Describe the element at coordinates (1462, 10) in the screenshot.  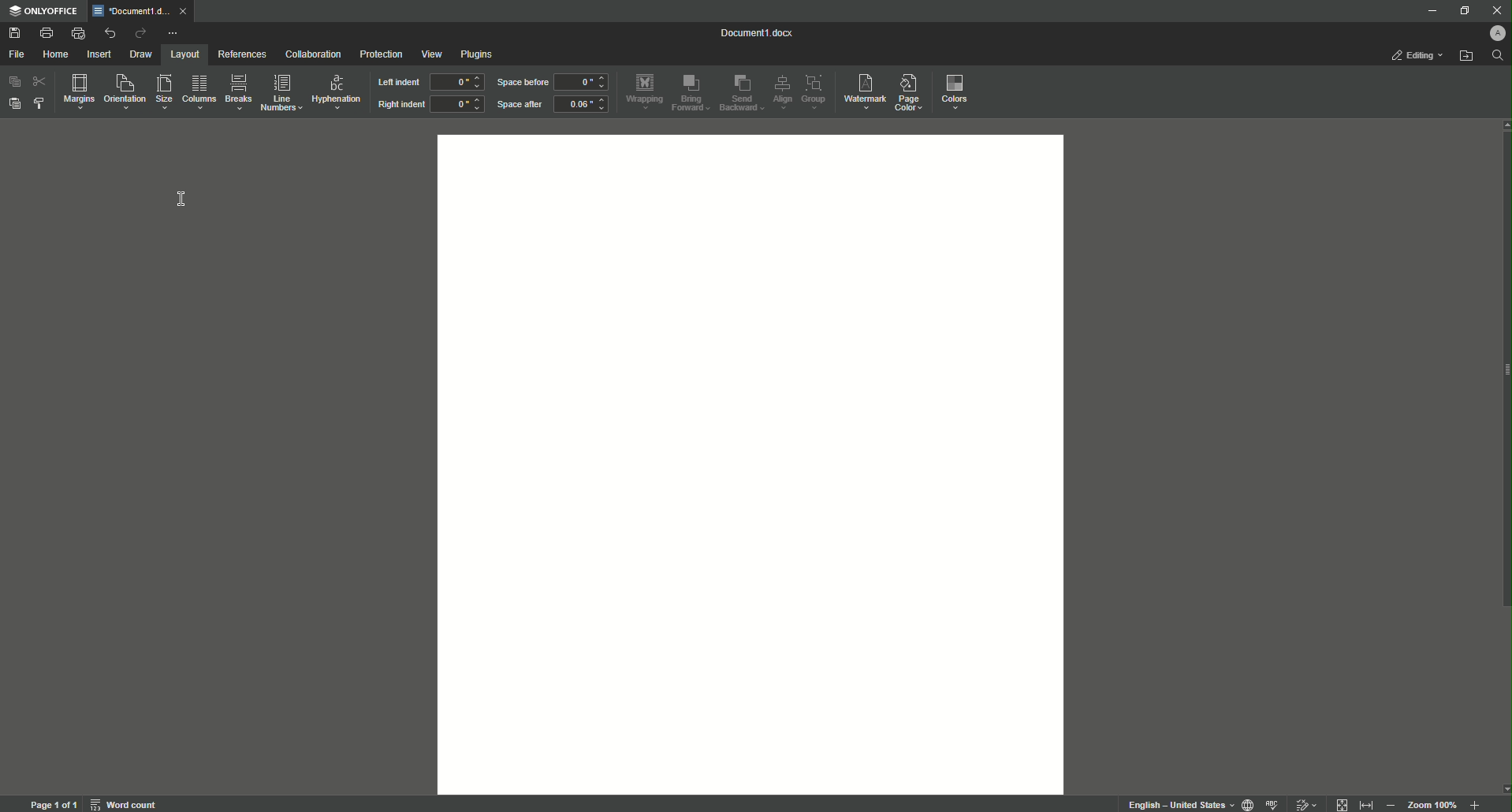
I see `Restore` at that location.